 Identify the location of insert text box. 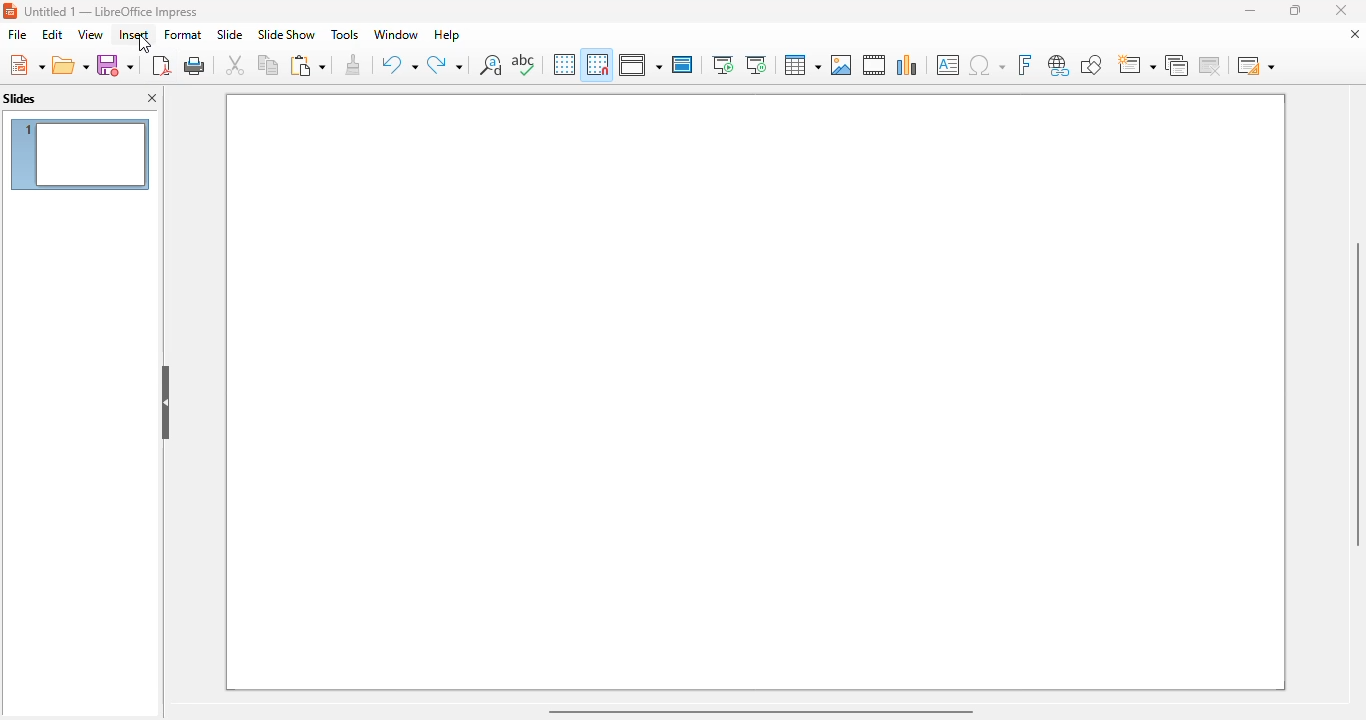
(948, 65).